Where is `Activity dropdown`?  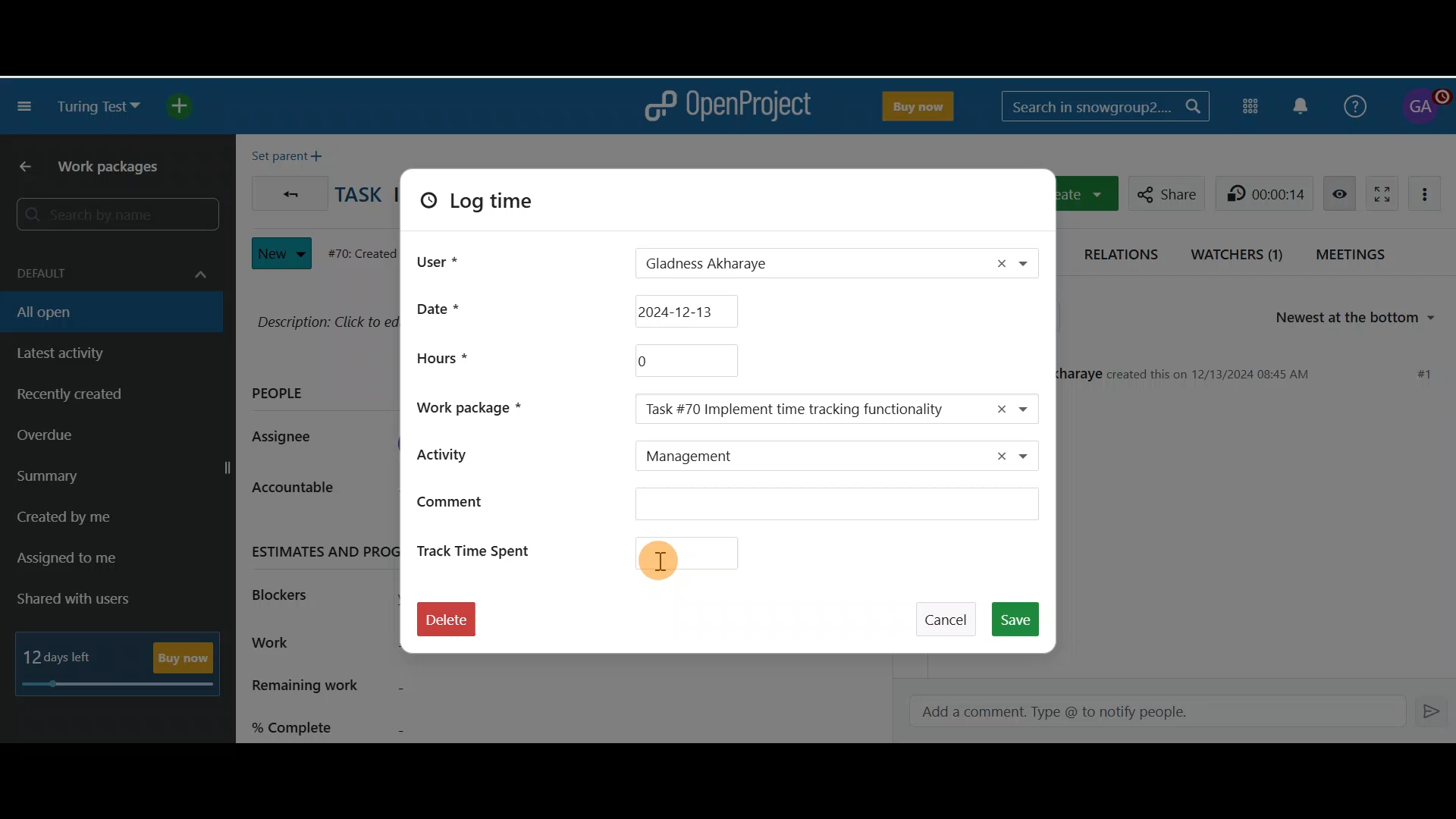
Activity dropdown is located at coordinates (1032, 458).